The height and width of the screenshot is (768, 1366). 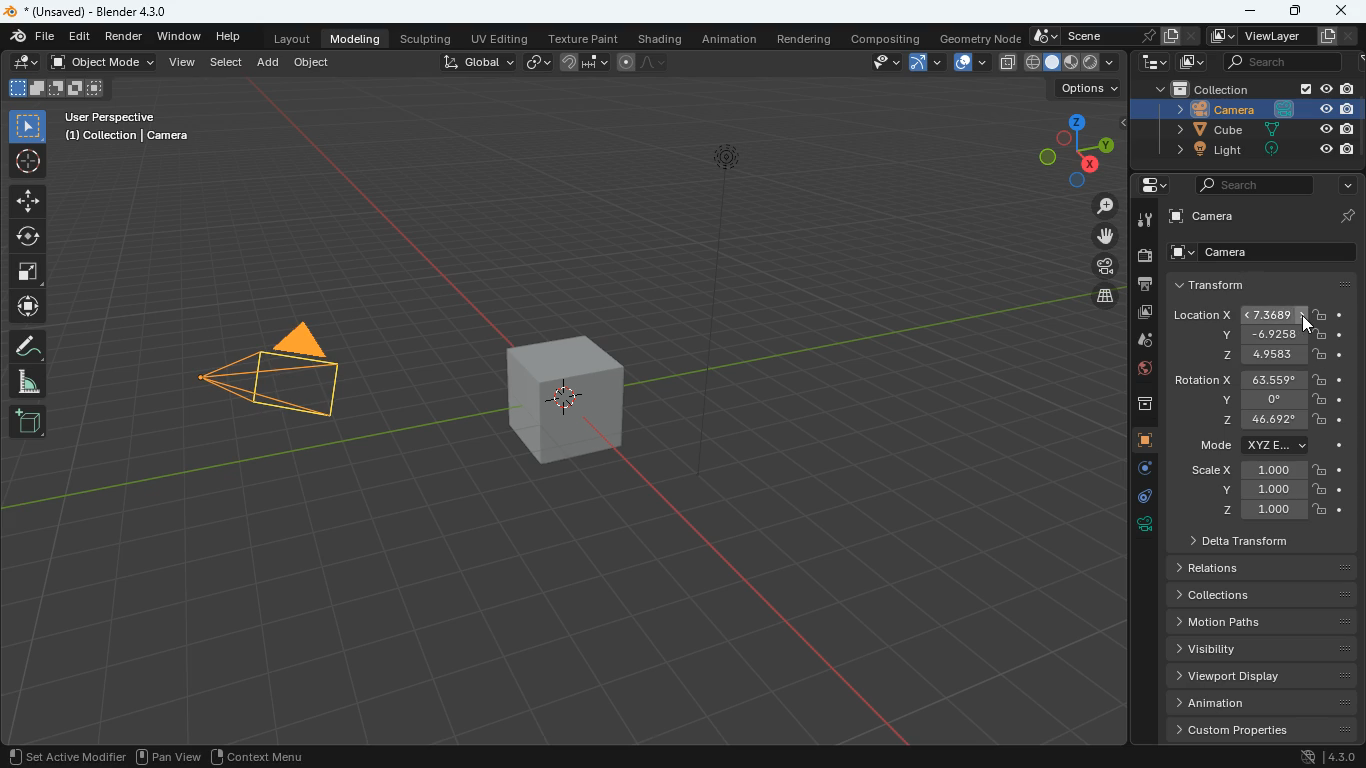 What do you see at coordinates (1188, 63) in the screenshot?
I see `image` at bounding box center [1188, 63].